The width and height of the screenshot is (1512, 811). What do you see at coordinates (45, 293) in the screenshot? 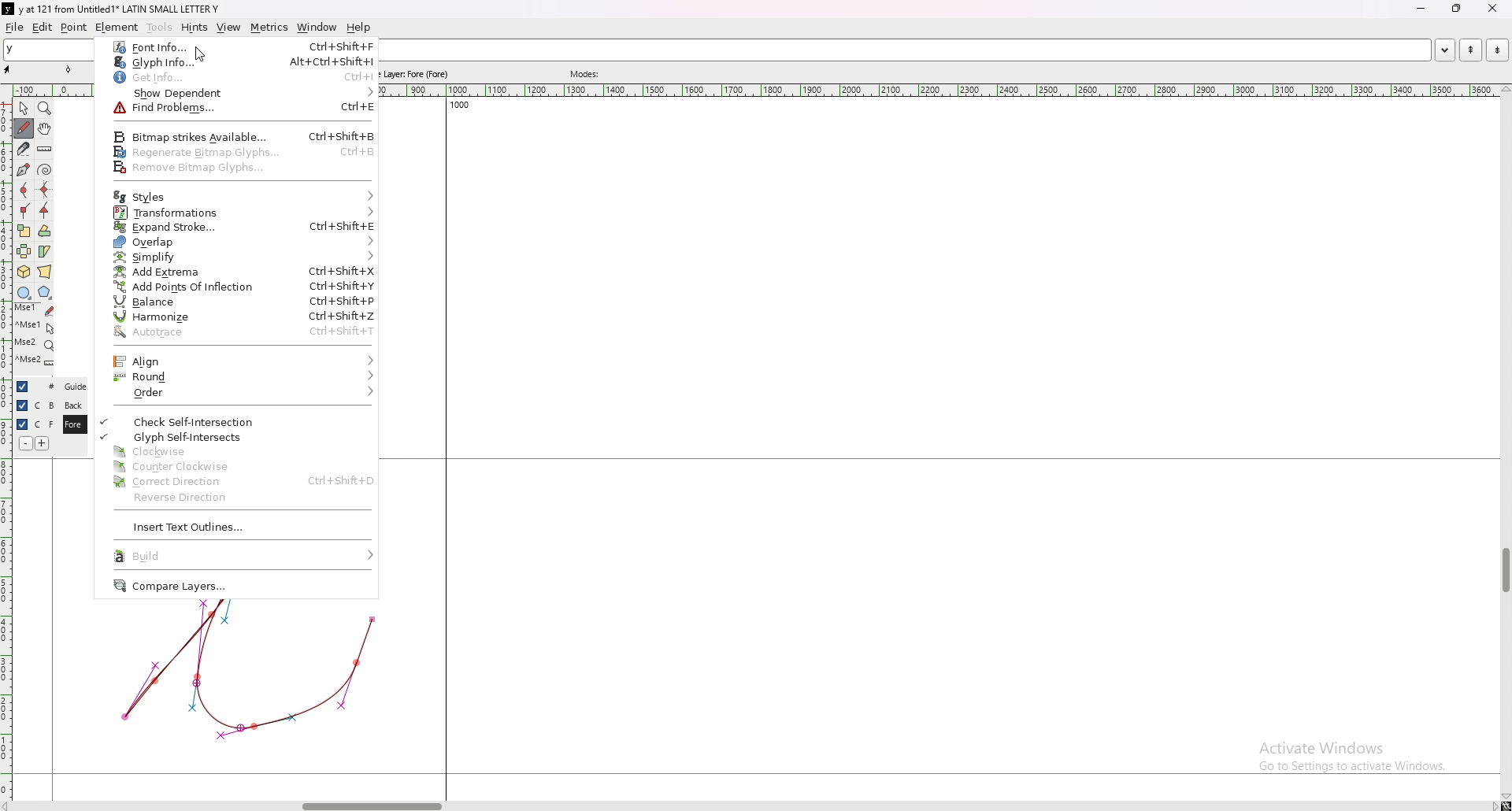
I see `polygon or star` at bounding box center [45, 293].